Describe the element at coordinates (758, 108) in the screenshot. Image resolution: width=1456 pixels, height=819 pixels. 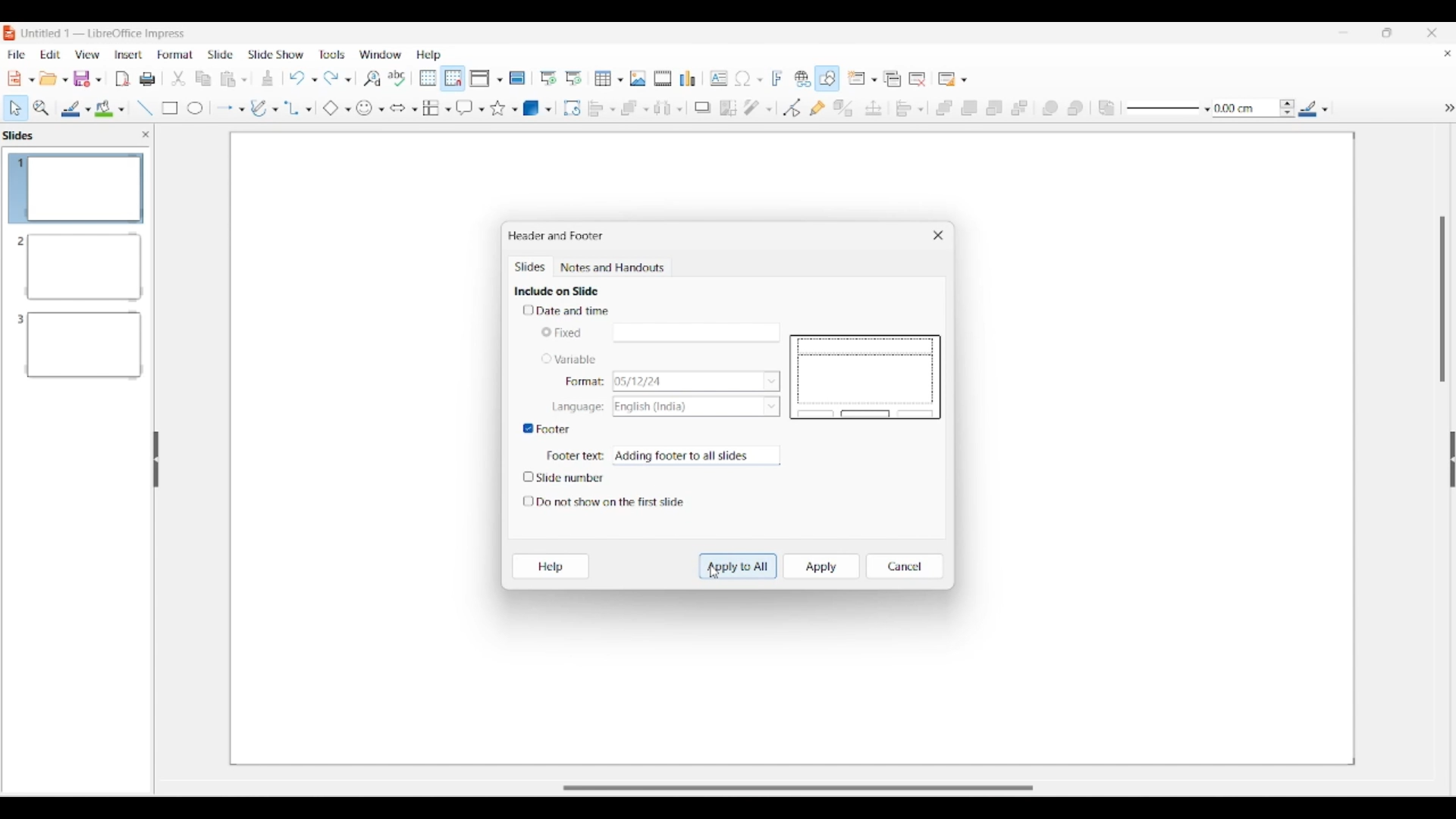
I see `Filter options` at that location.